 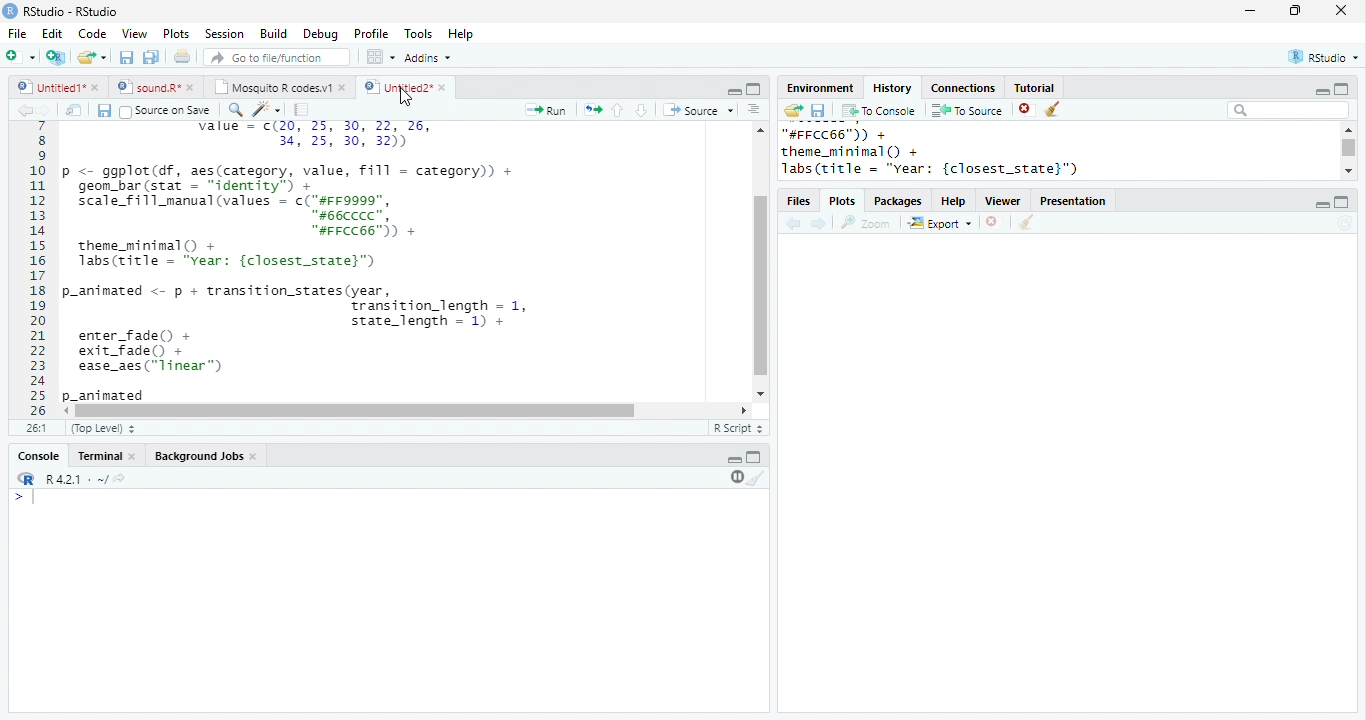 What do you see at coordinates (1342, 88) in the screenshot?
I see `maximize` at bounding box center [1342, 88].